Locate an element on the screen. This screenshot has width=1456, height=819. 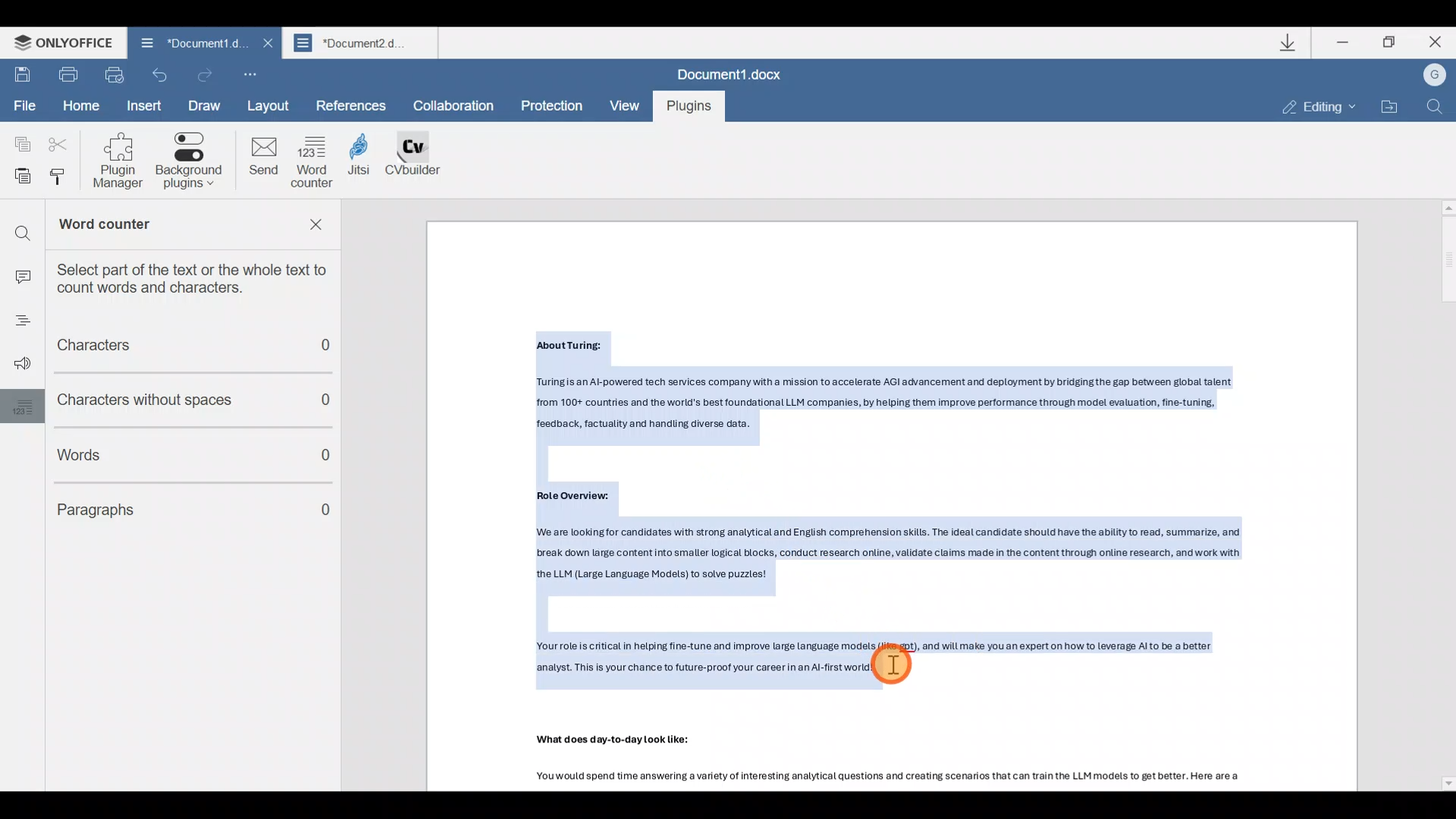
Document name is located at coordinates (195, 42).